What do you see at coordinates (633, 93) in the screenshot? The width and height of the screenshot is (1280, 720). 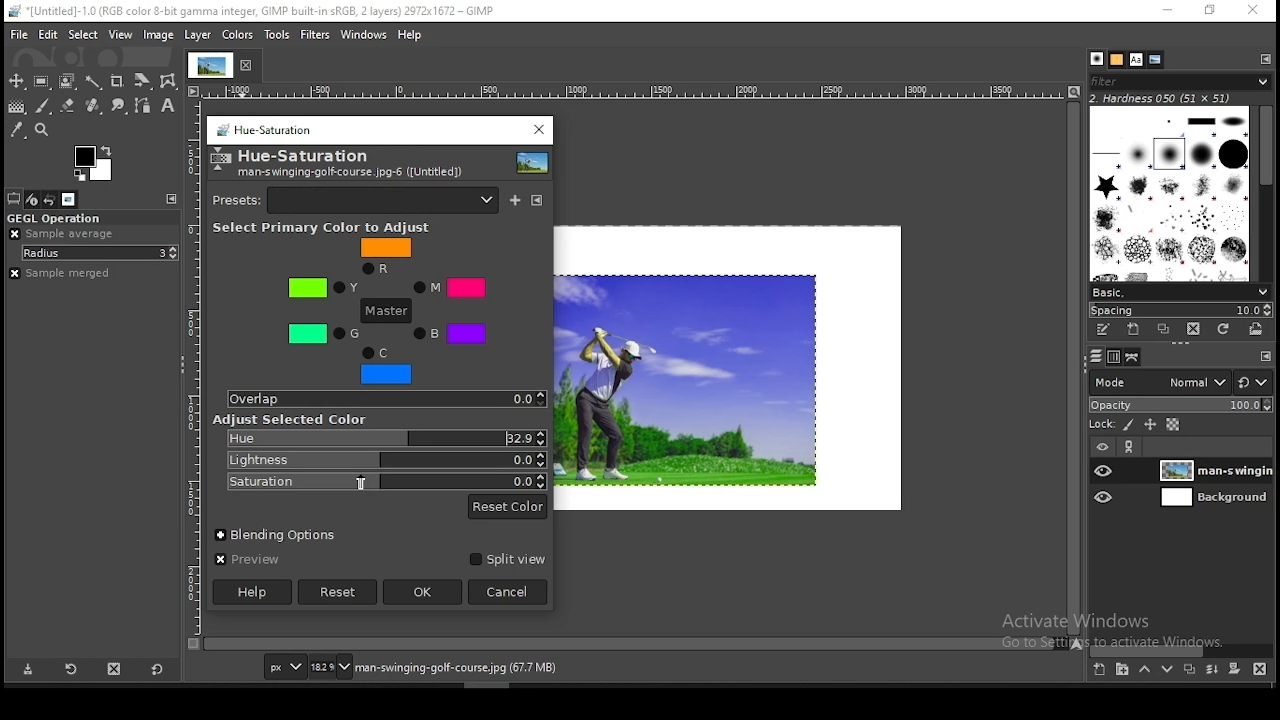 I see `horizontal scale` at bounding box center [633, 93].